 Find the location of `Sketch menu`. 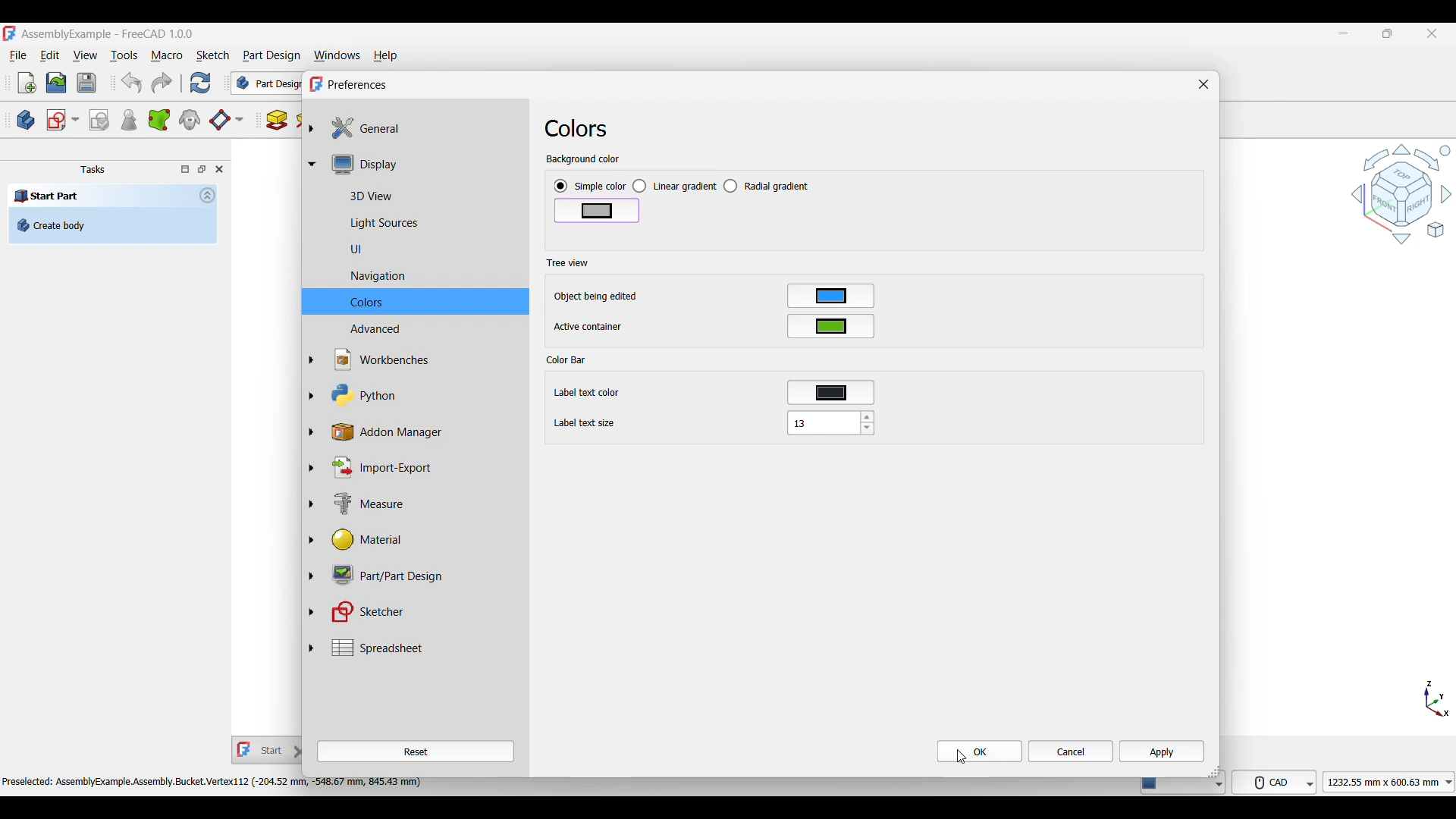

Sketch menu is located at coordinates (212, 55).